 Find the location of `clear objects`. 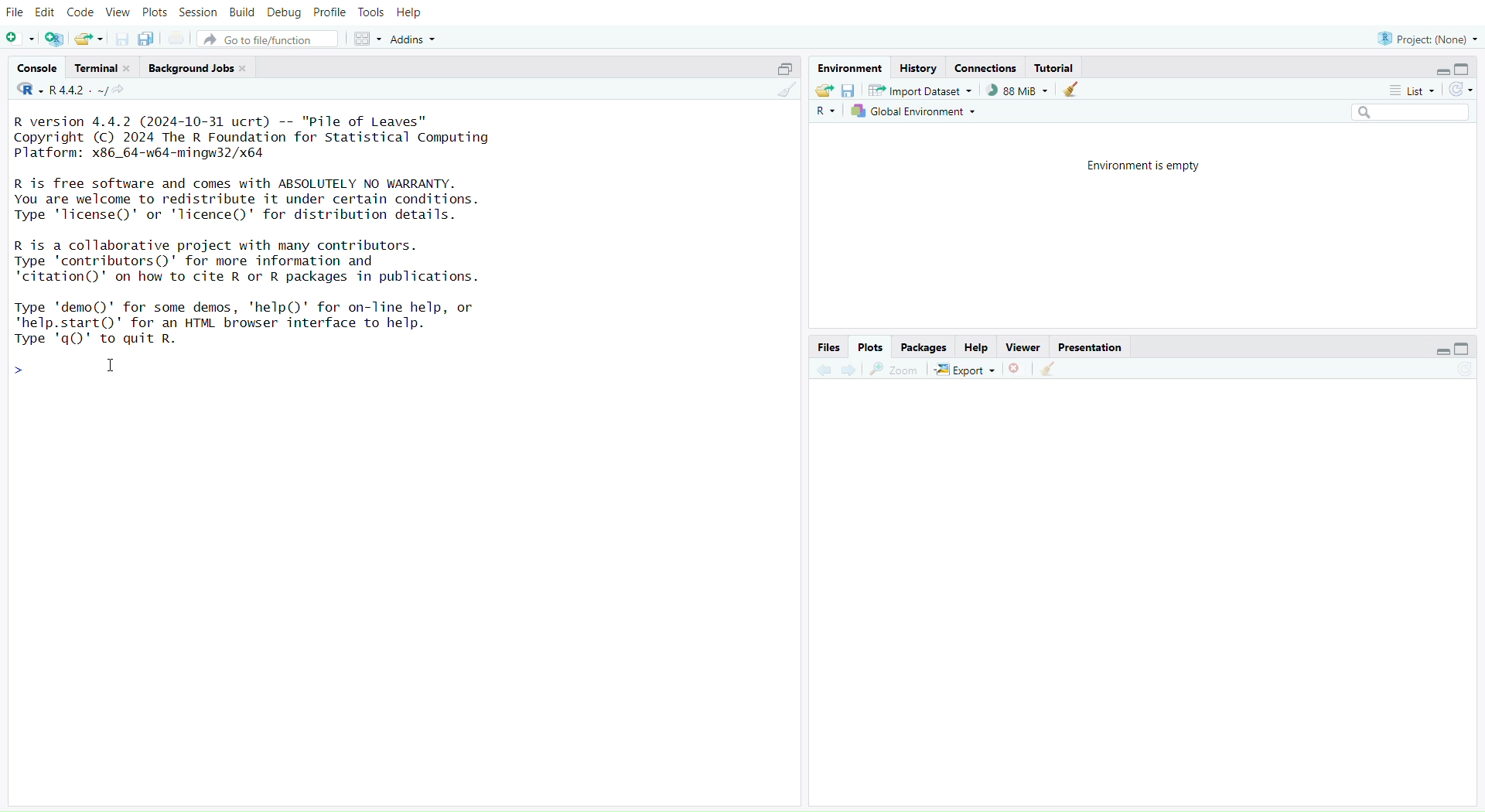

clear objects is located at coordinates (1074, 91).